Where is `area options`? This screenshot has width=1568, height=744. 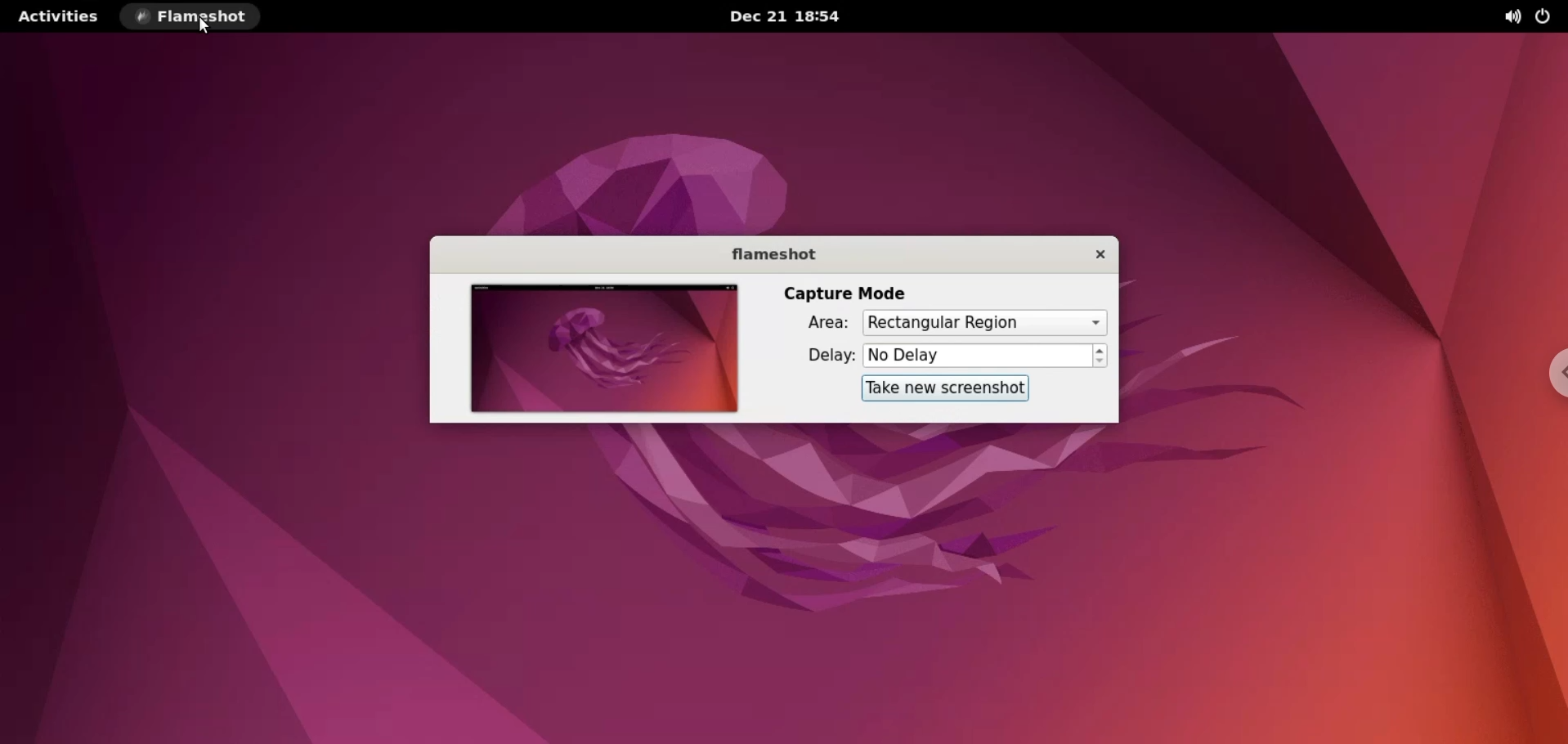 area options is located at coordinates (984, 324).